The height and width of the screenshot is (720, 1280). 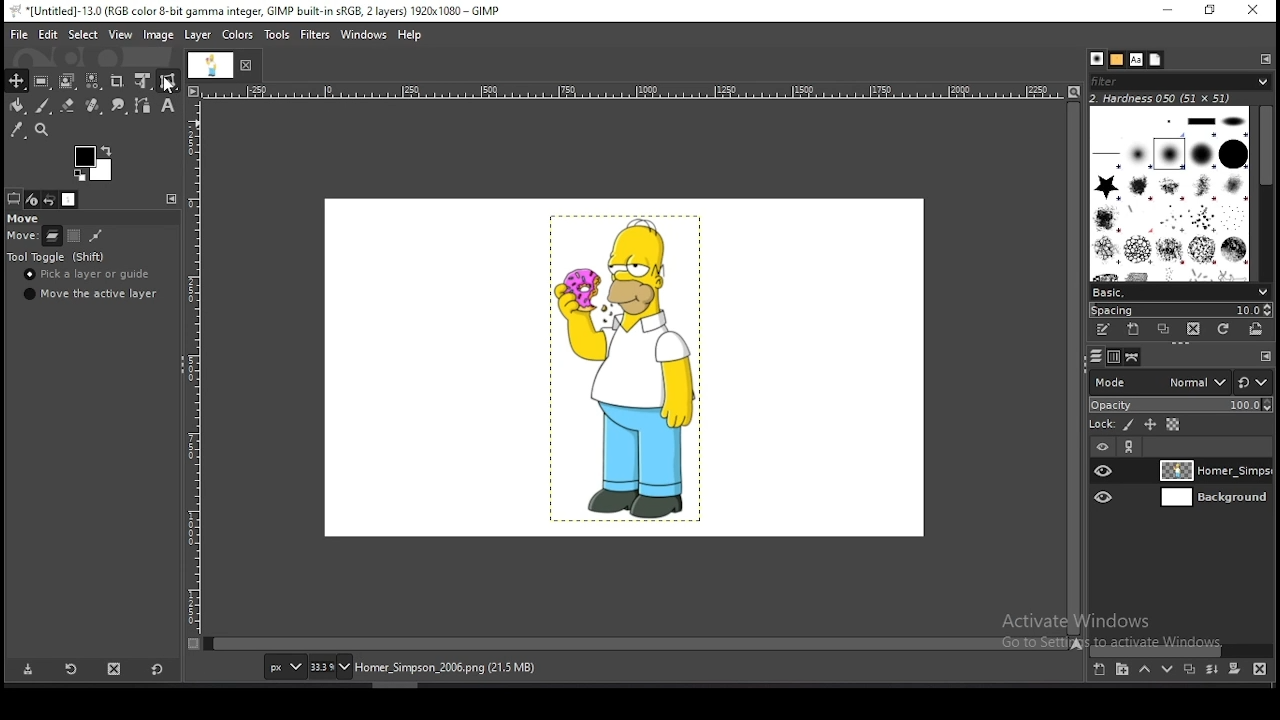 What do you see at coordinates (1171, 192) in the screenshot?
I see `brushes` at bounding box center [1171, 192].